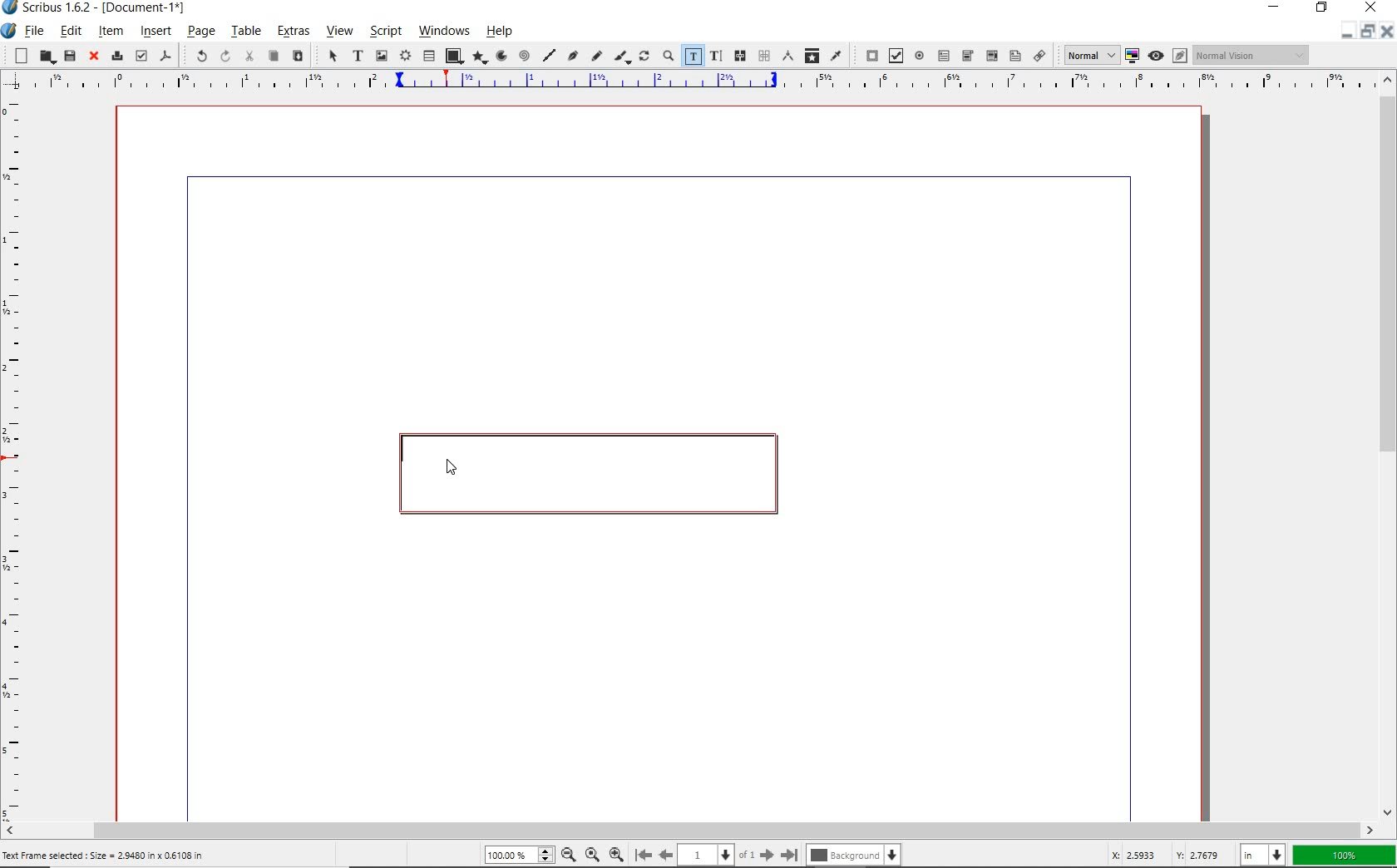 This screenshot has height=868, width=1397. I want to click on select item, so click(331, 57).